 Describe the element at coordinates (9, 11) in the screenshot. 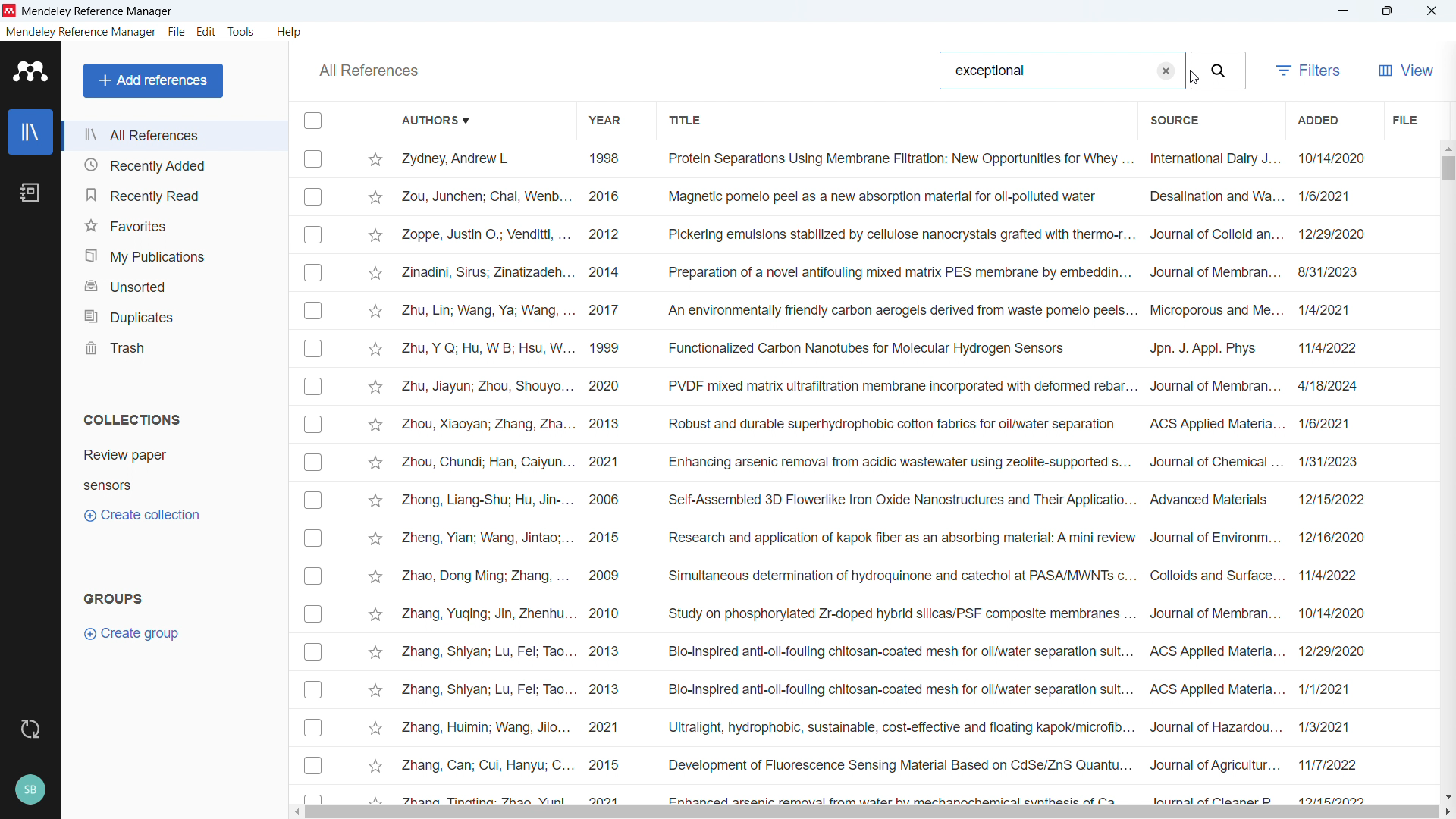

I see `logo` at that location.